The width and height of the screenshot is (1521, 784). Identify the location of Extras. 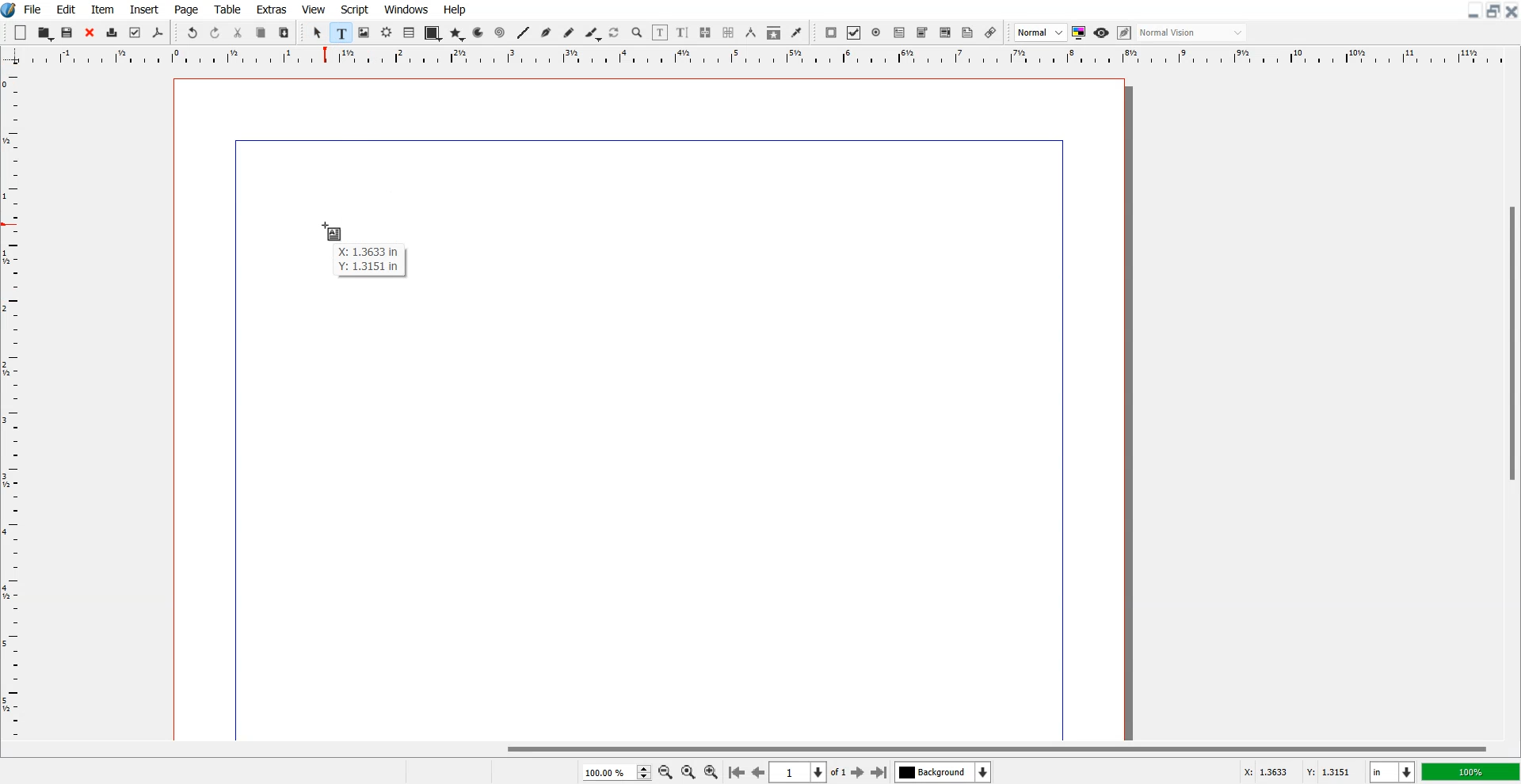
(272, 9).